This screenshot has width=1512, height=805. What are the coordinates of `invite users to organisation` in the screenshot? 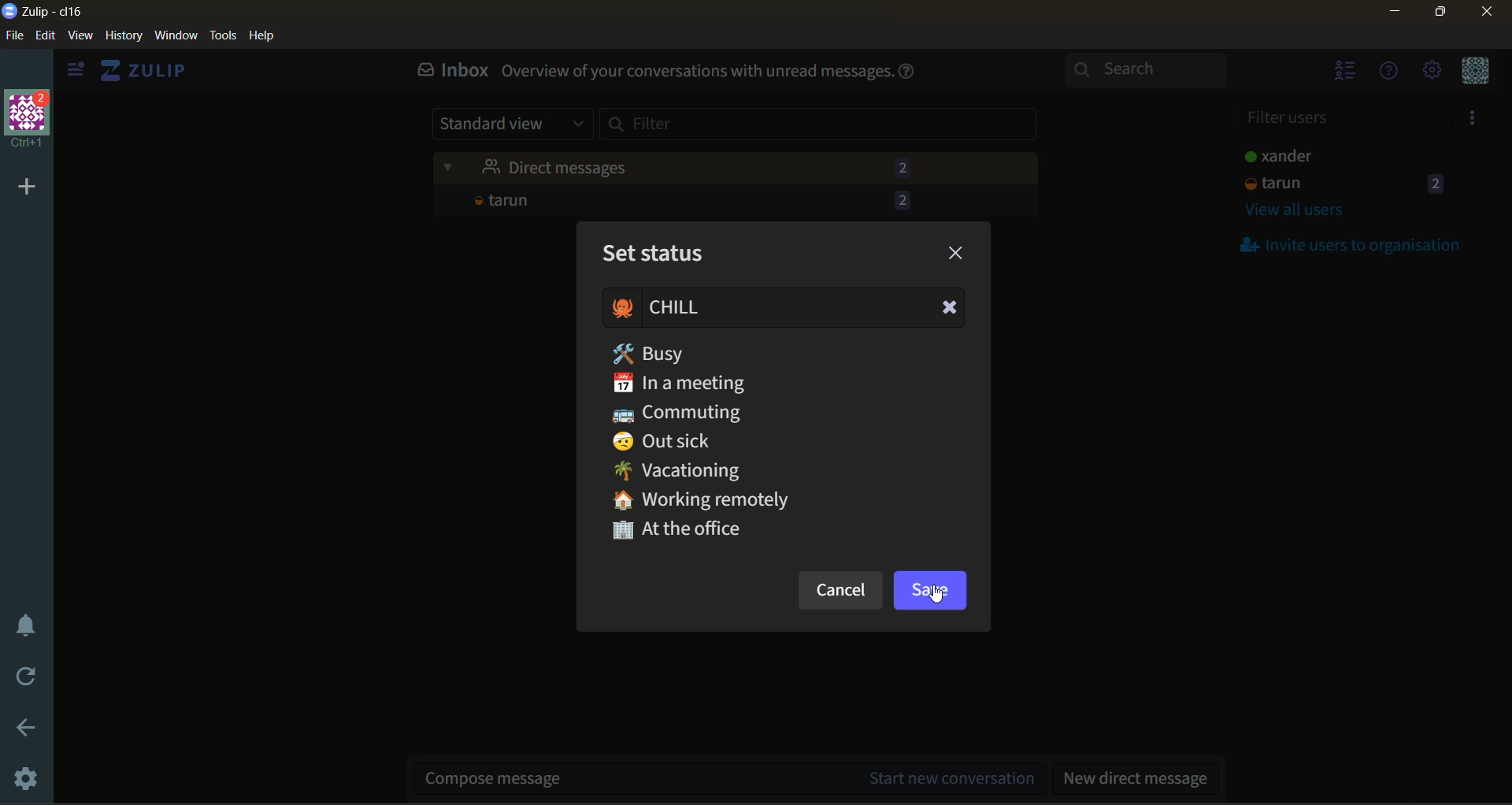 It's located at (1475, 120).